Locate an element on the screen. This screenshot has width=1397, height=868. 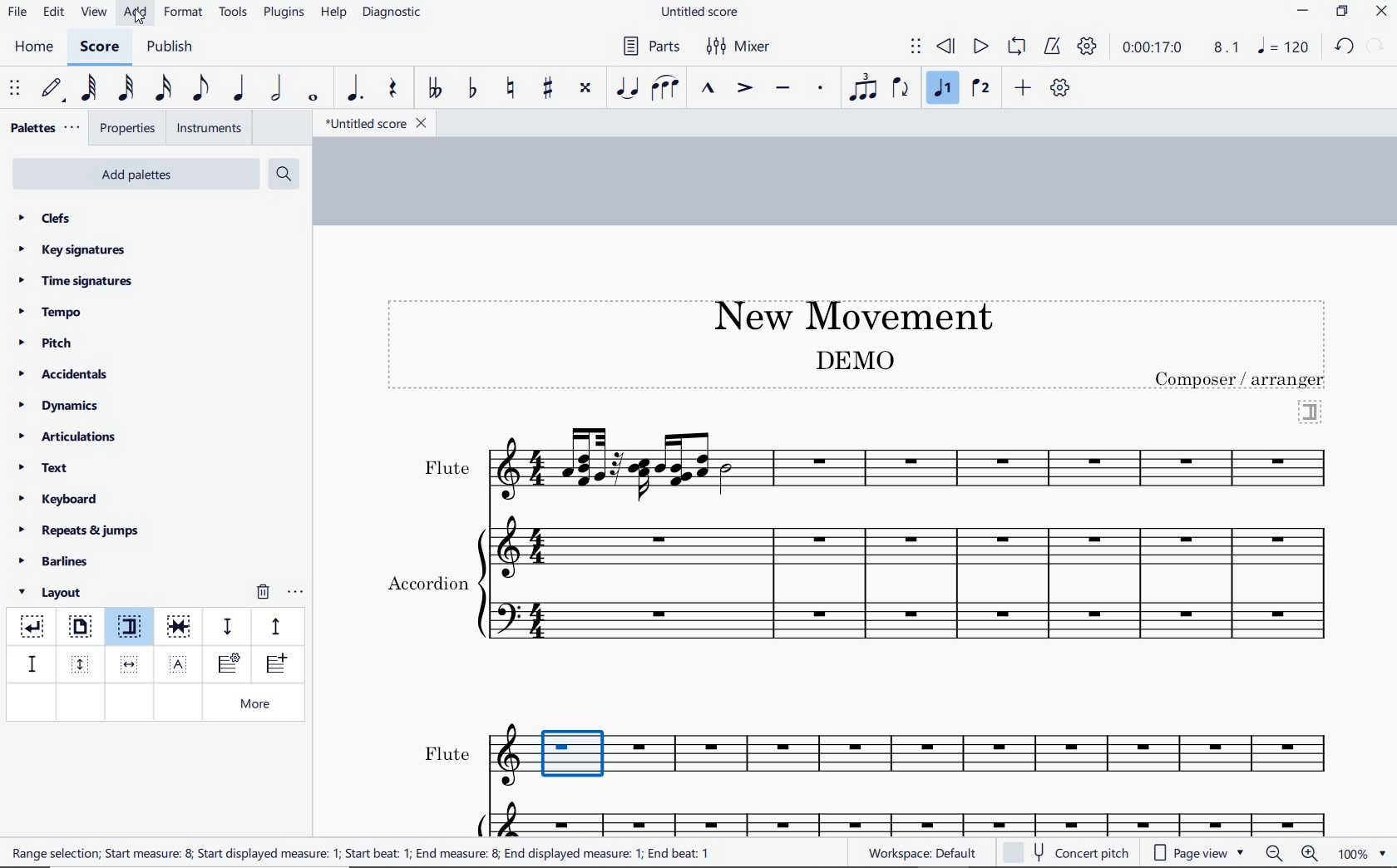
rewind is located at coordinates (947, 47).